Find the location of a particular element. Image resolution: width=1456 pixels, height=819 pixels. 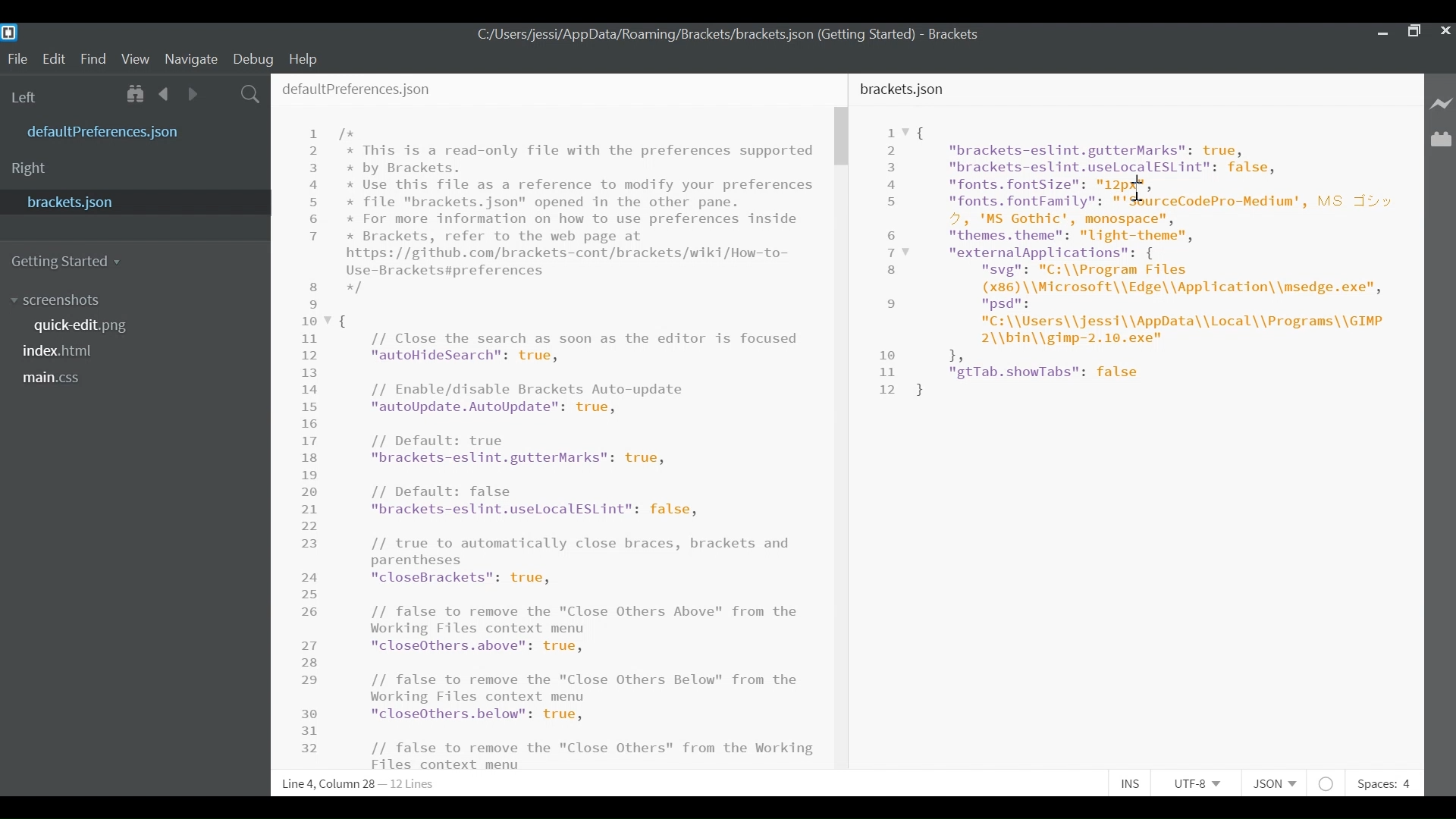

bracket.json is located at coordinates (905, 89).